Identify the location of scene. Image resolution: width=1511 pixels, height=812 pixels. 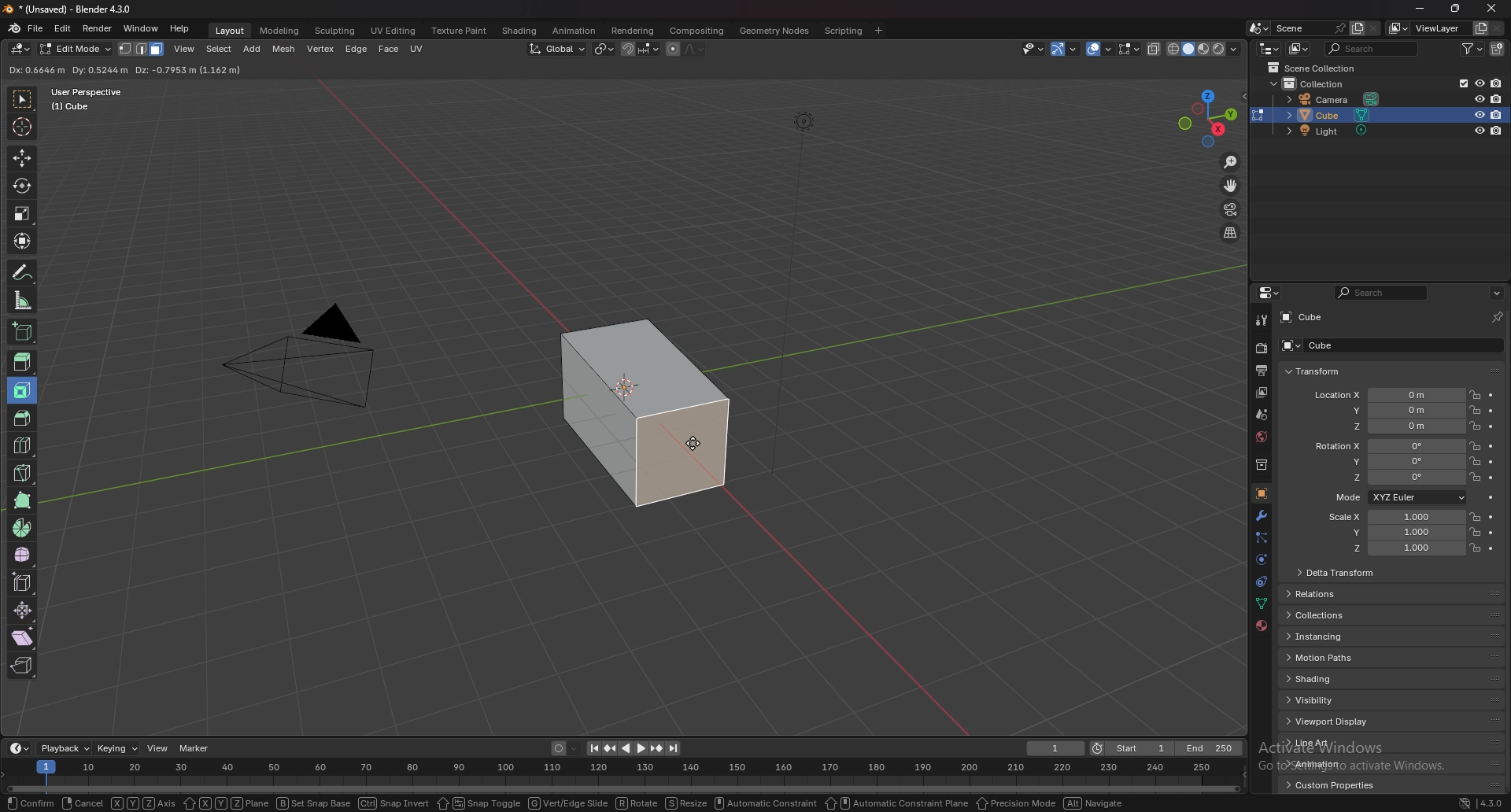
(1309, 28).